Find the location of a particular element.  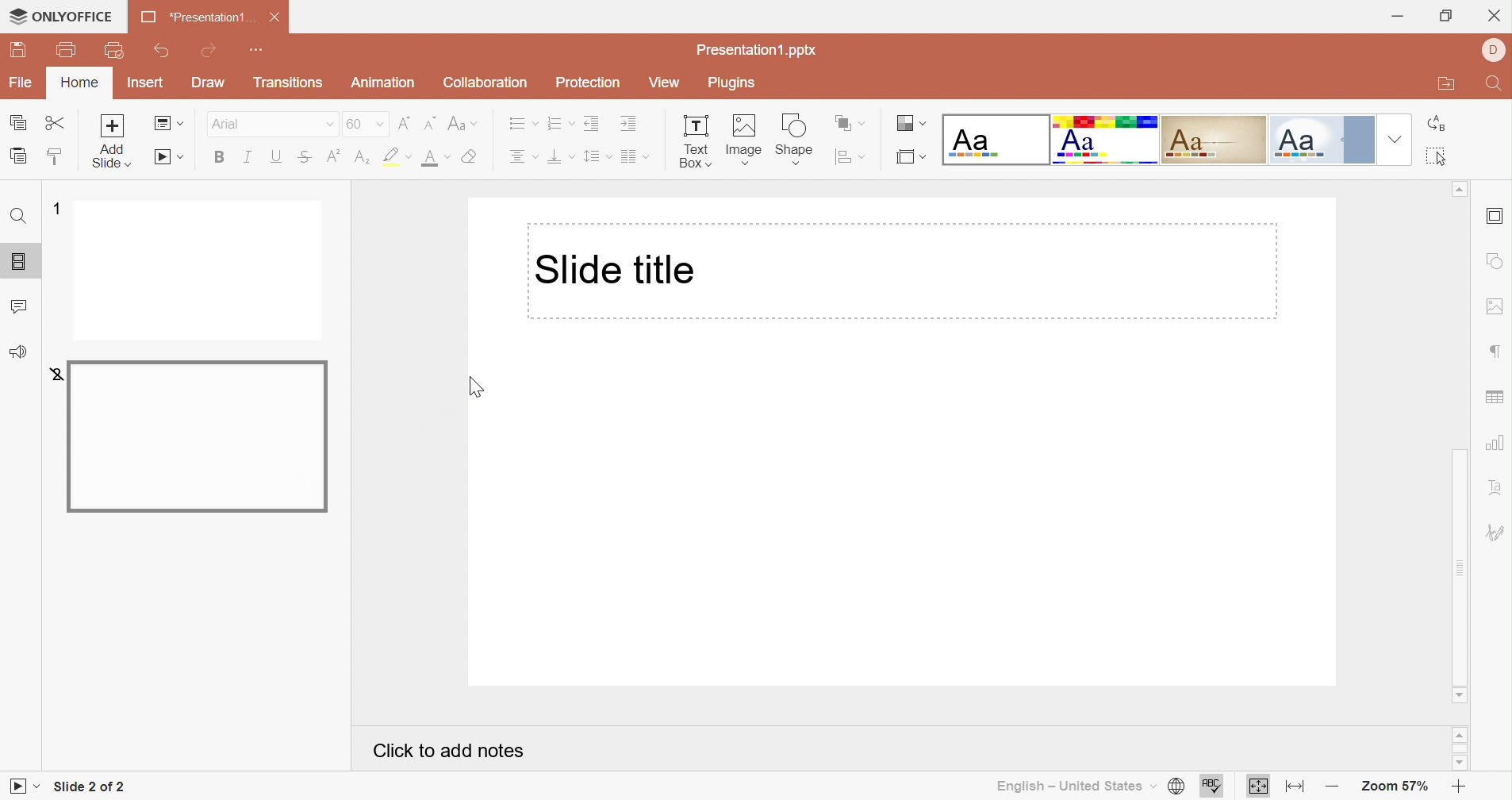

Scroll Up is located at coordinates (1459, 190).